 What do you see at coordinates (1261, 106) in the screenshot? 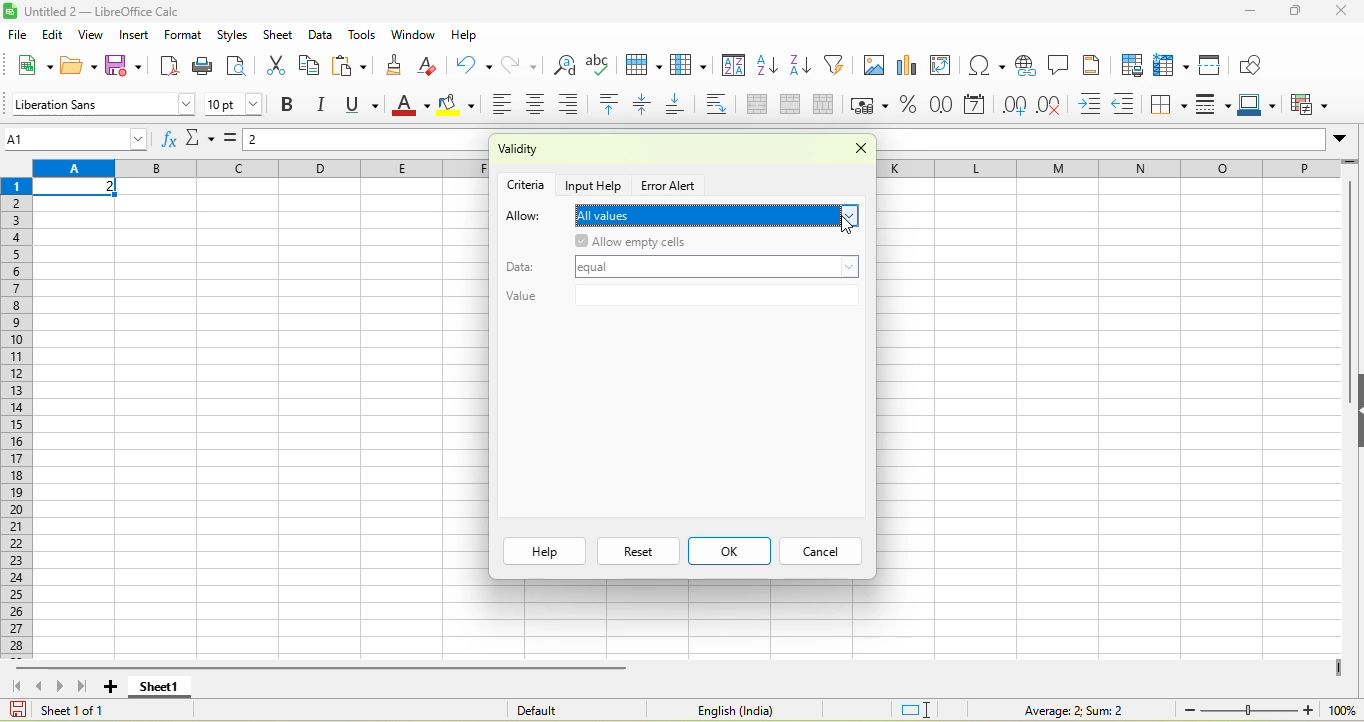
I see `border color` at bounding box center [1261, 106].